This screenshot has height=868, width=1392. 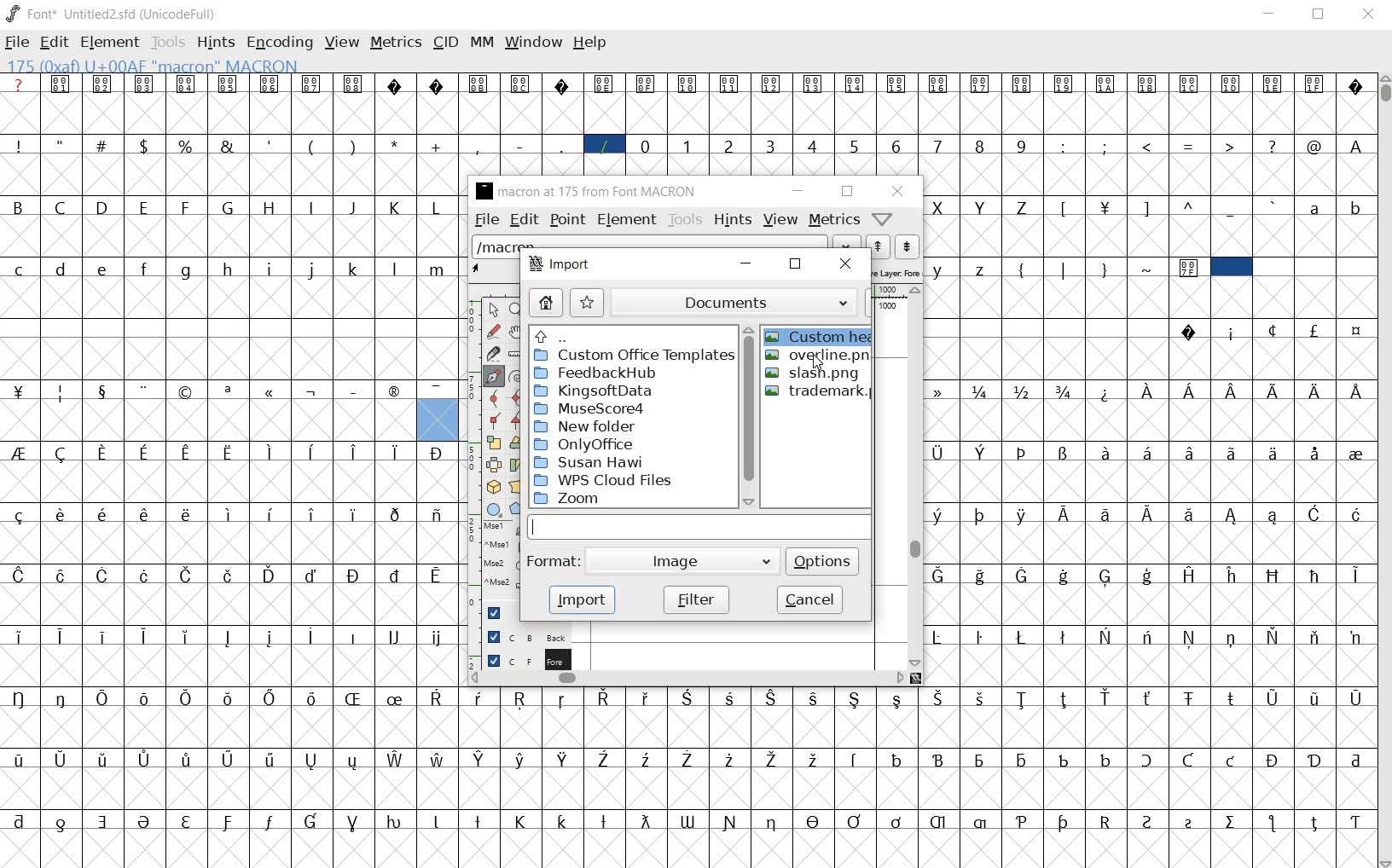 I want to click on Symbol, so click(x=20, y=391).